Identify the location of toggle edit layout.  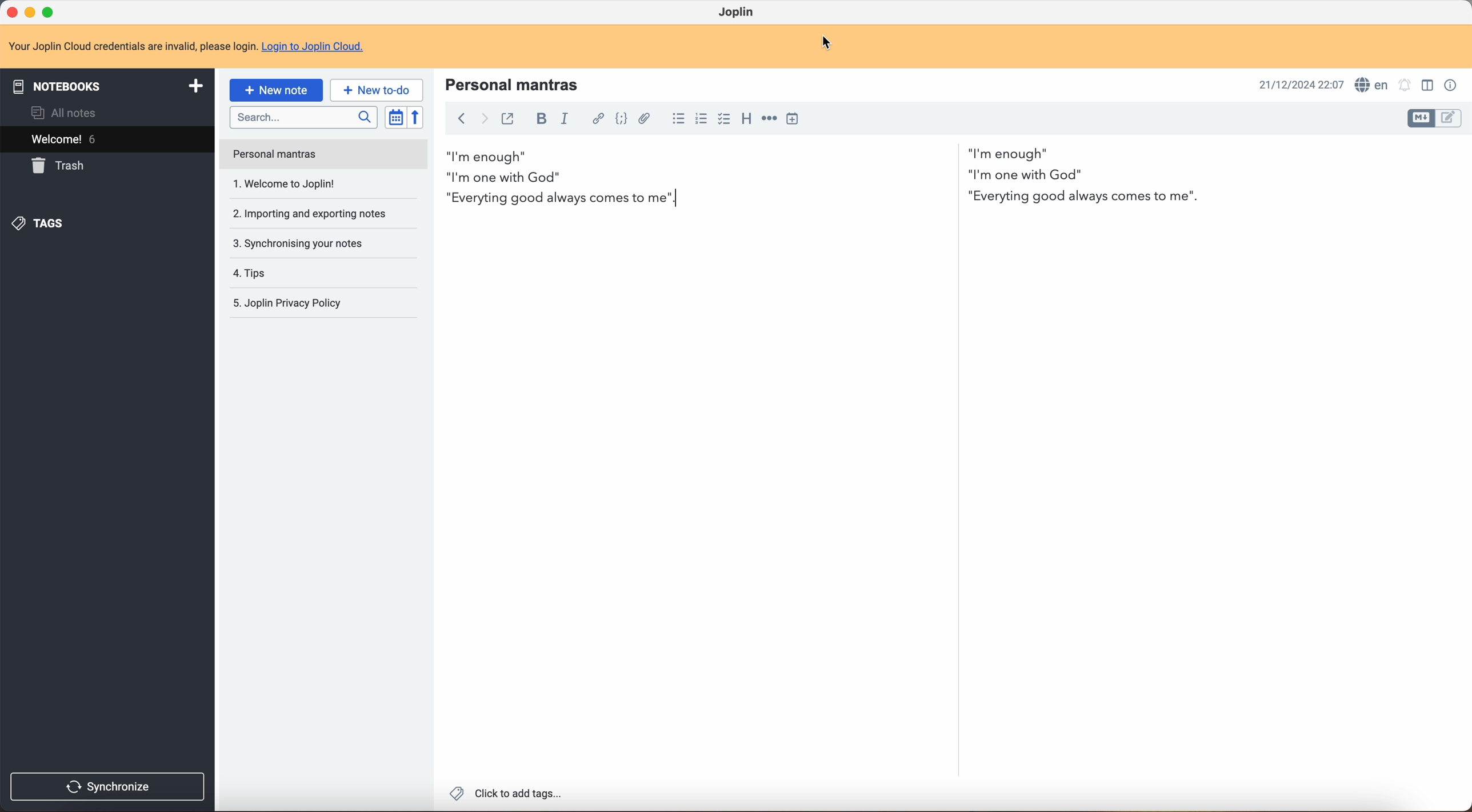
(1449, 119).